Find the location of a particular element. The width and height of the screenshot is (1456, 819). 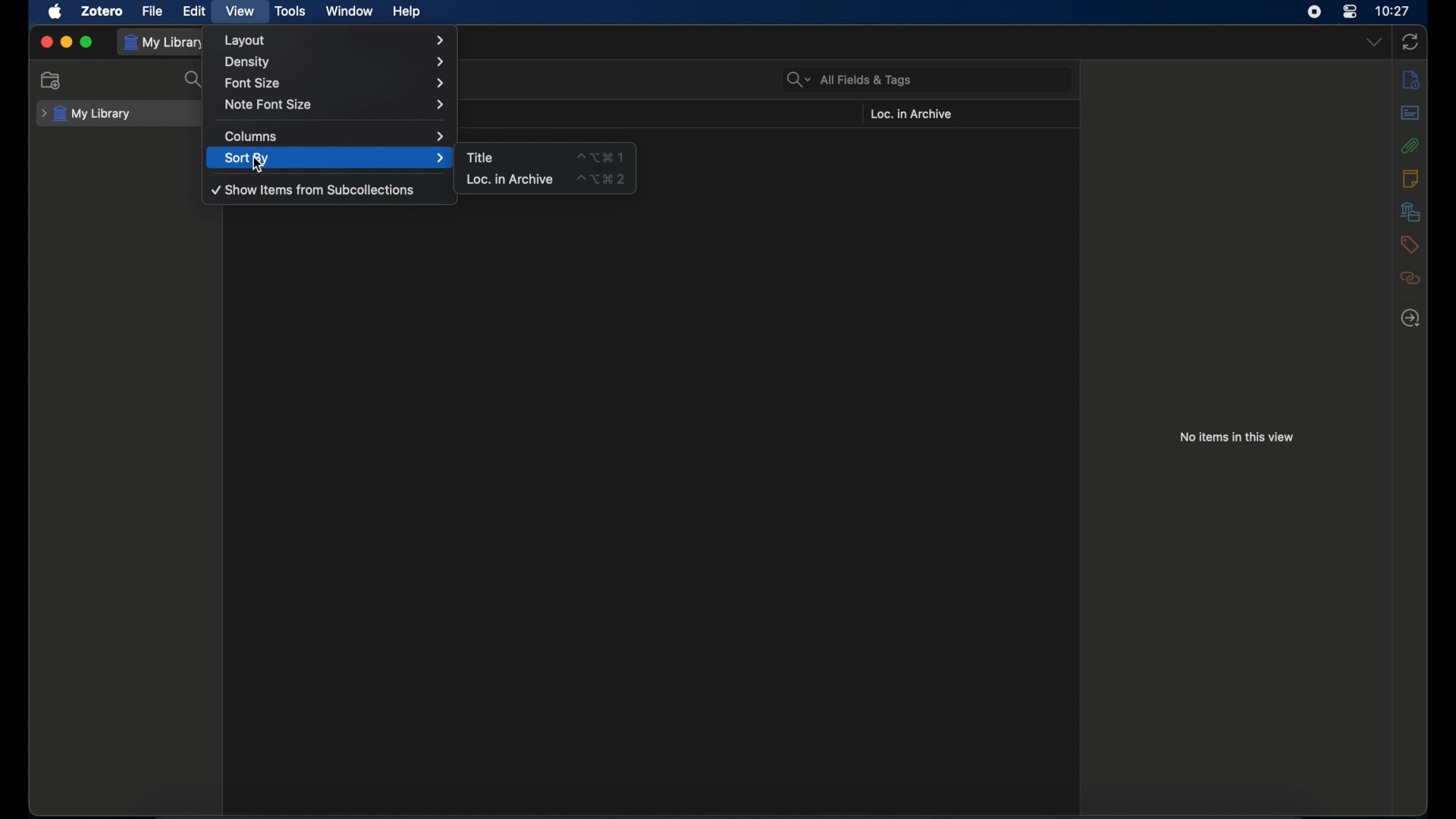

search is located at coordinates (195, 80).